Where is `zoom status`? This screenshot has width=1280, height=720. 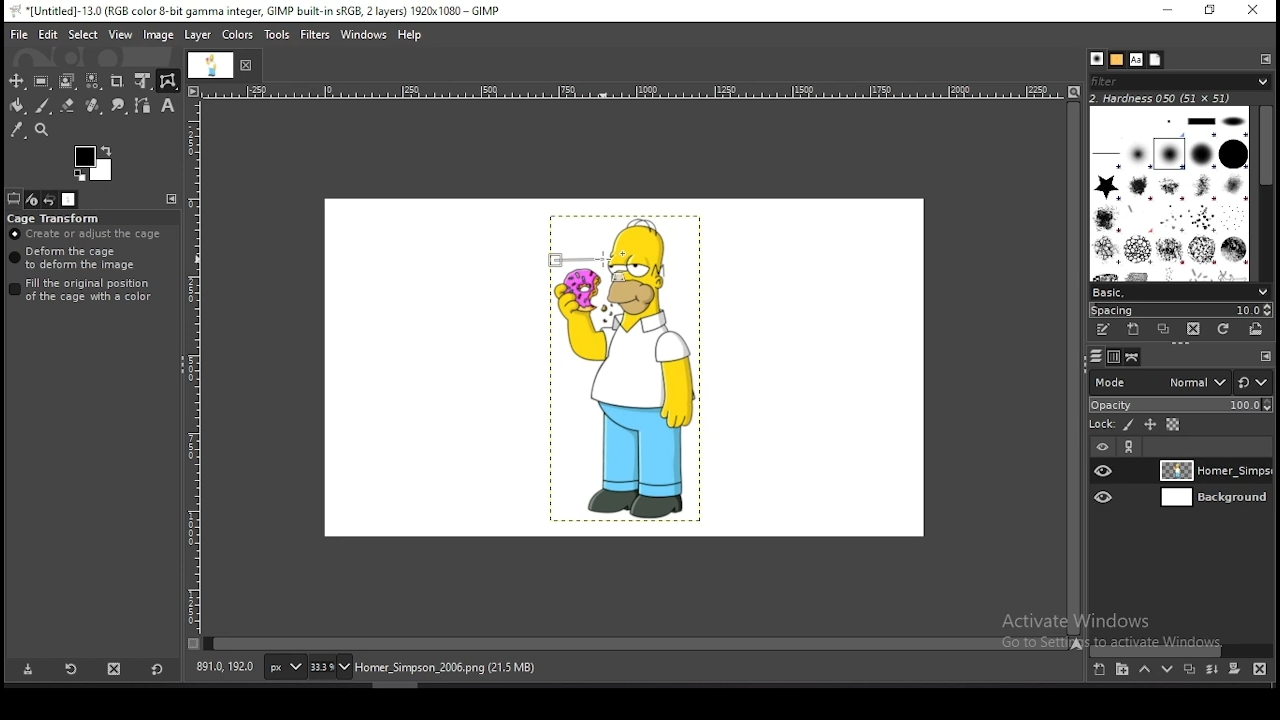 zoom status is located at coordinates (329, 667).